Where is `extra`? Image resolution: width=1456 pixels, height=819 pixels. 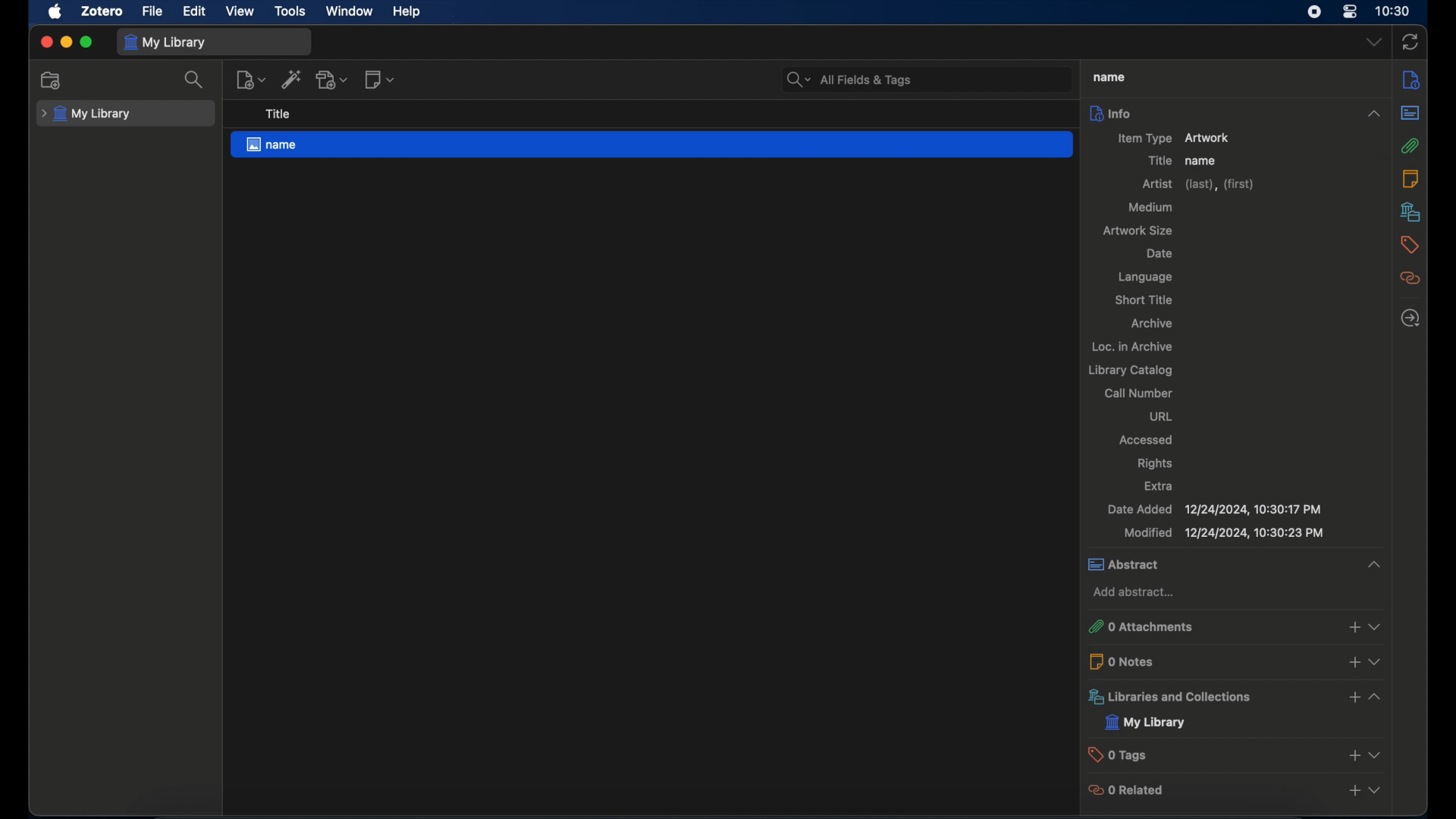 extra is located at coordinates (1159, 486).